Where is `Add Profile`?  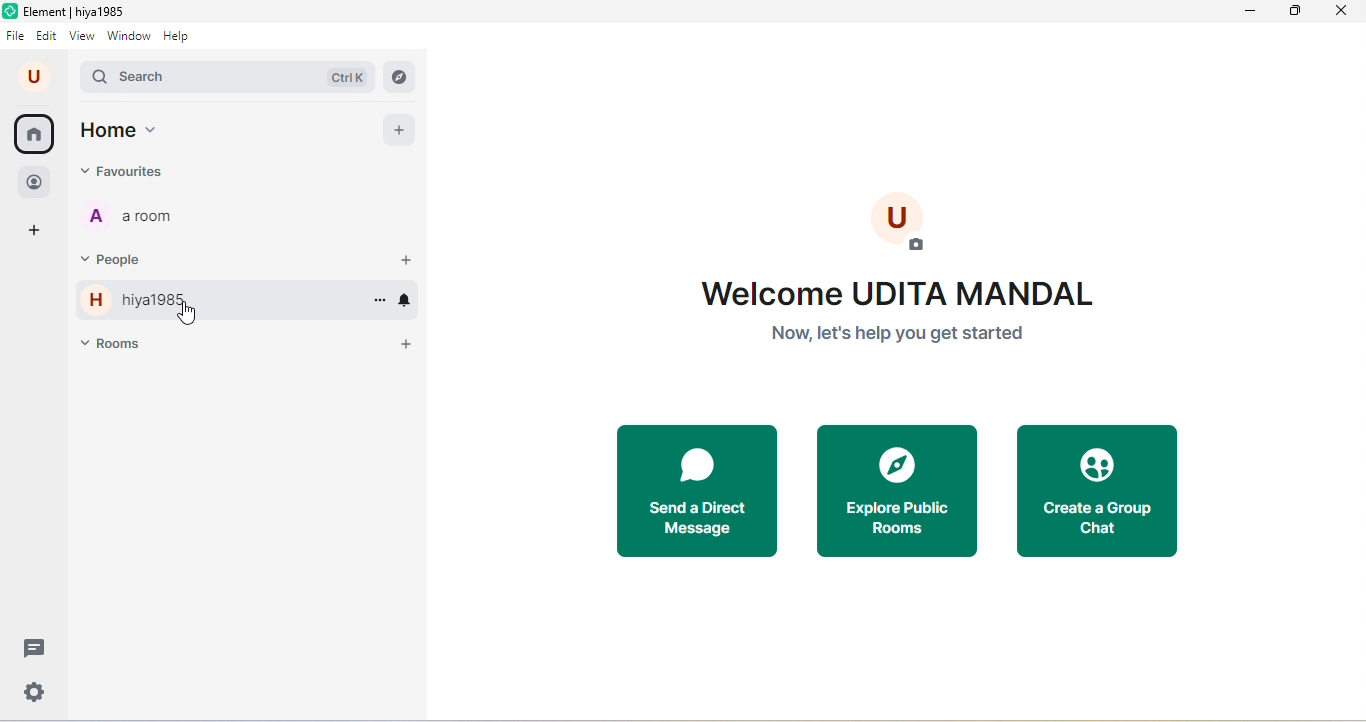 Add Profile is located at coordinates (406, 128).